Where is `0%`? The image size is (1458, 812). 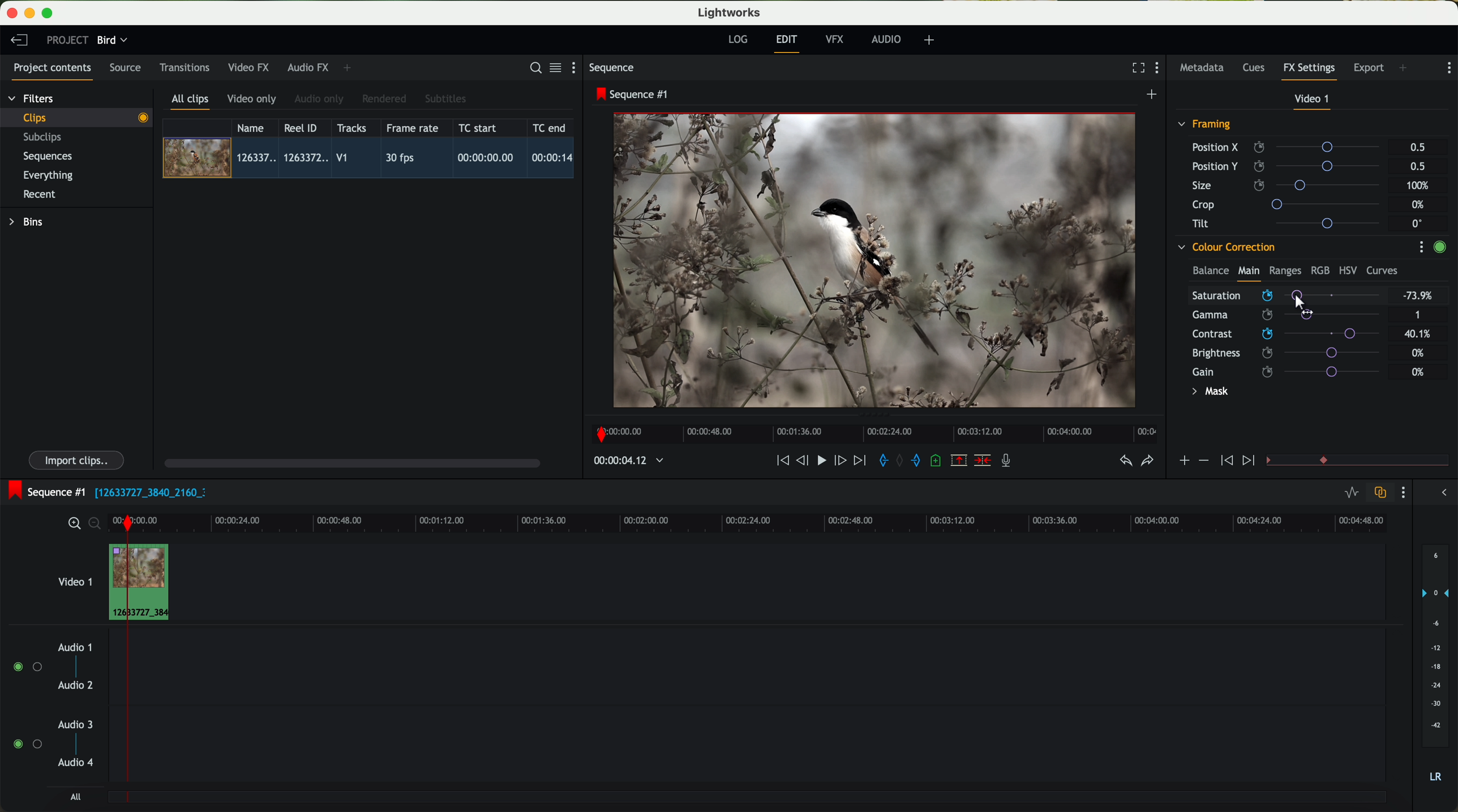
0% is located at coordinates (1418, 372).